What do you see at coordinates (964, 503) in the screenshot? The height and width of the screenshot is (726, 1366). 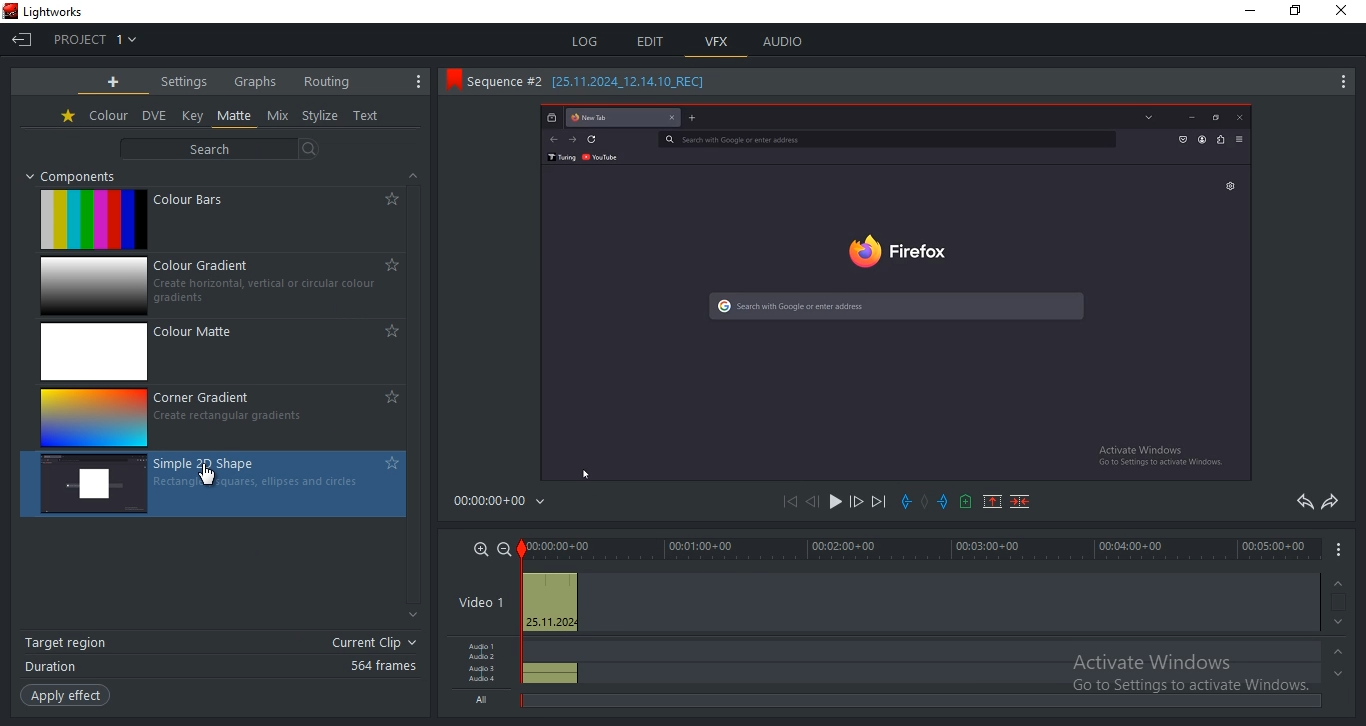 I see `add a cue` at bounding box center [964, 503].